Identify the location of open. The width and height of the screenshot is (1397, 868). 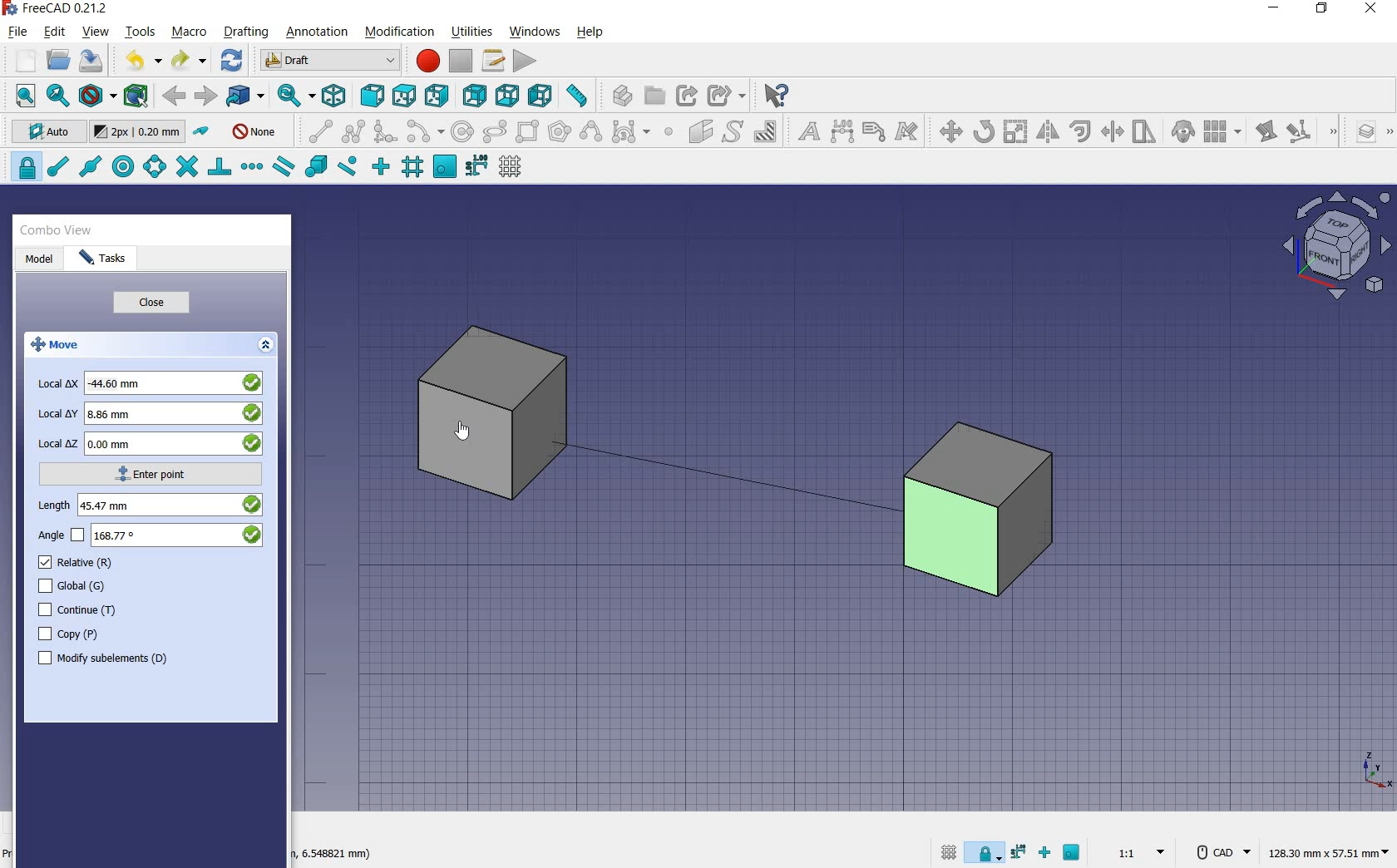
(61, 61).